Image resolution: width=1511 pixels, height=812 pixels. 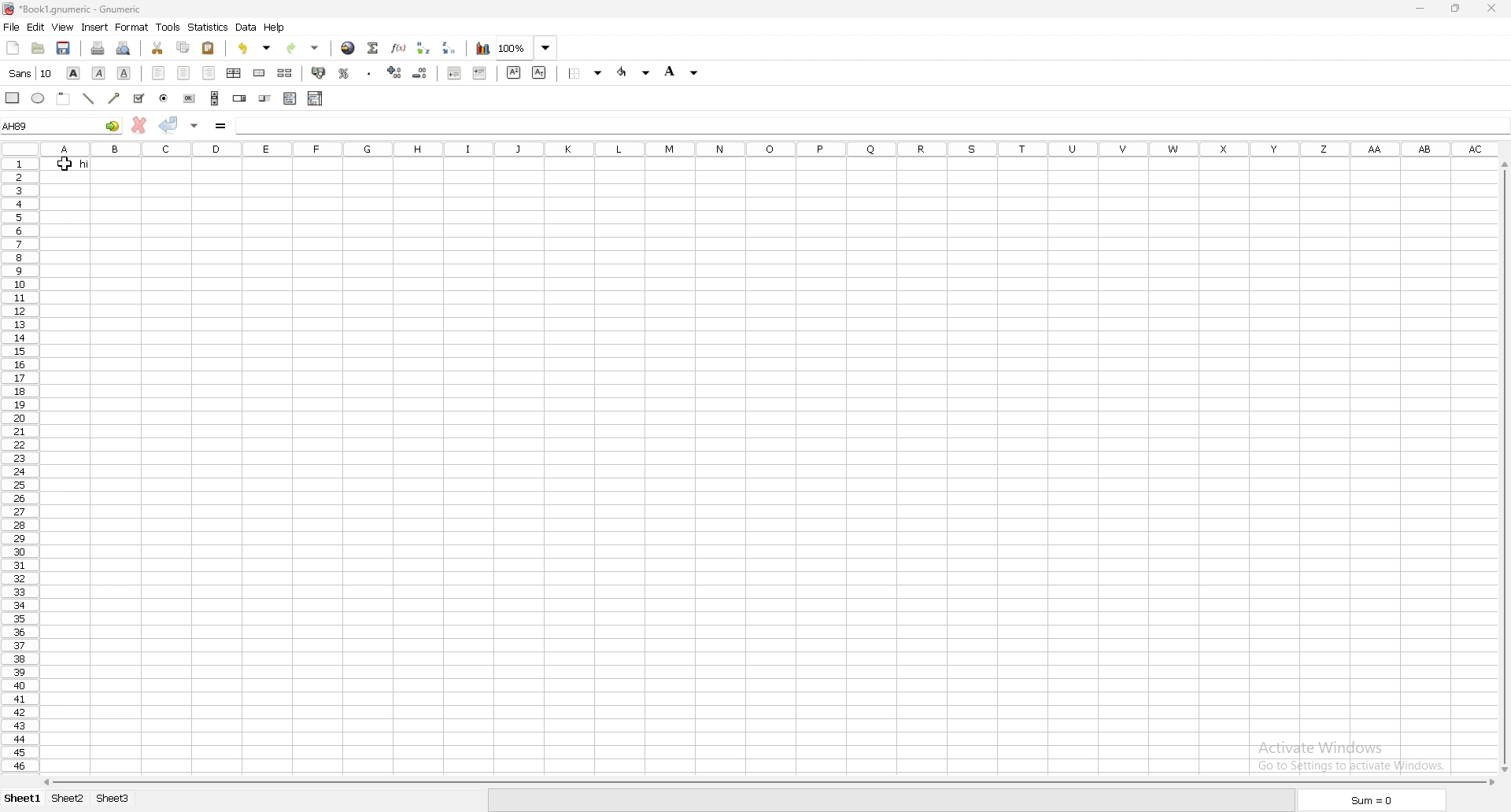 What do you see at coordinates (68, 798) in the screenshot?
I see `sheet 2` at bounding box center [68, 798].